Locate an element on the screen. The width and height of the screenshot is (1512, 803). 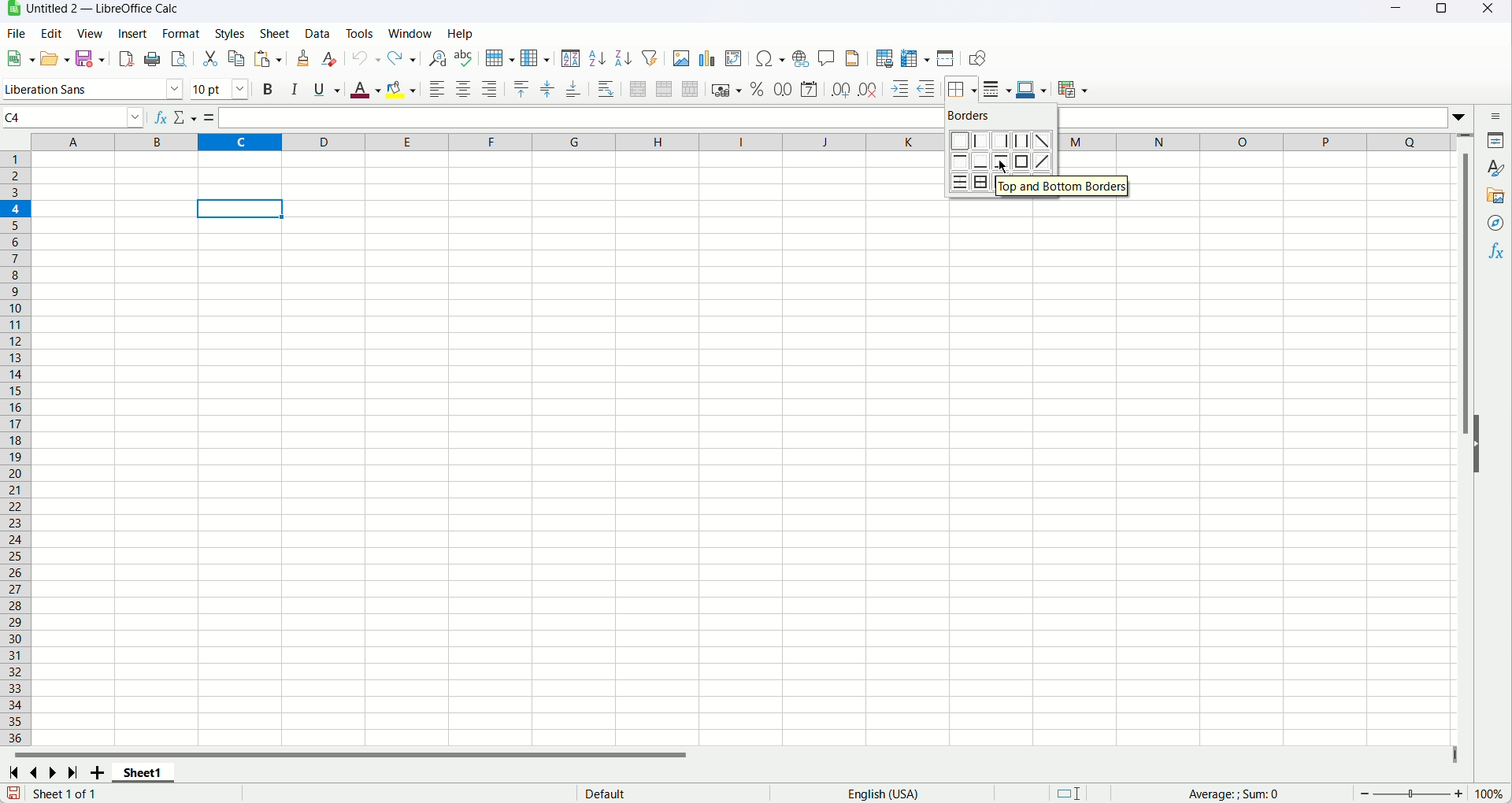
Outer border is located at coordinates (1021, 161).